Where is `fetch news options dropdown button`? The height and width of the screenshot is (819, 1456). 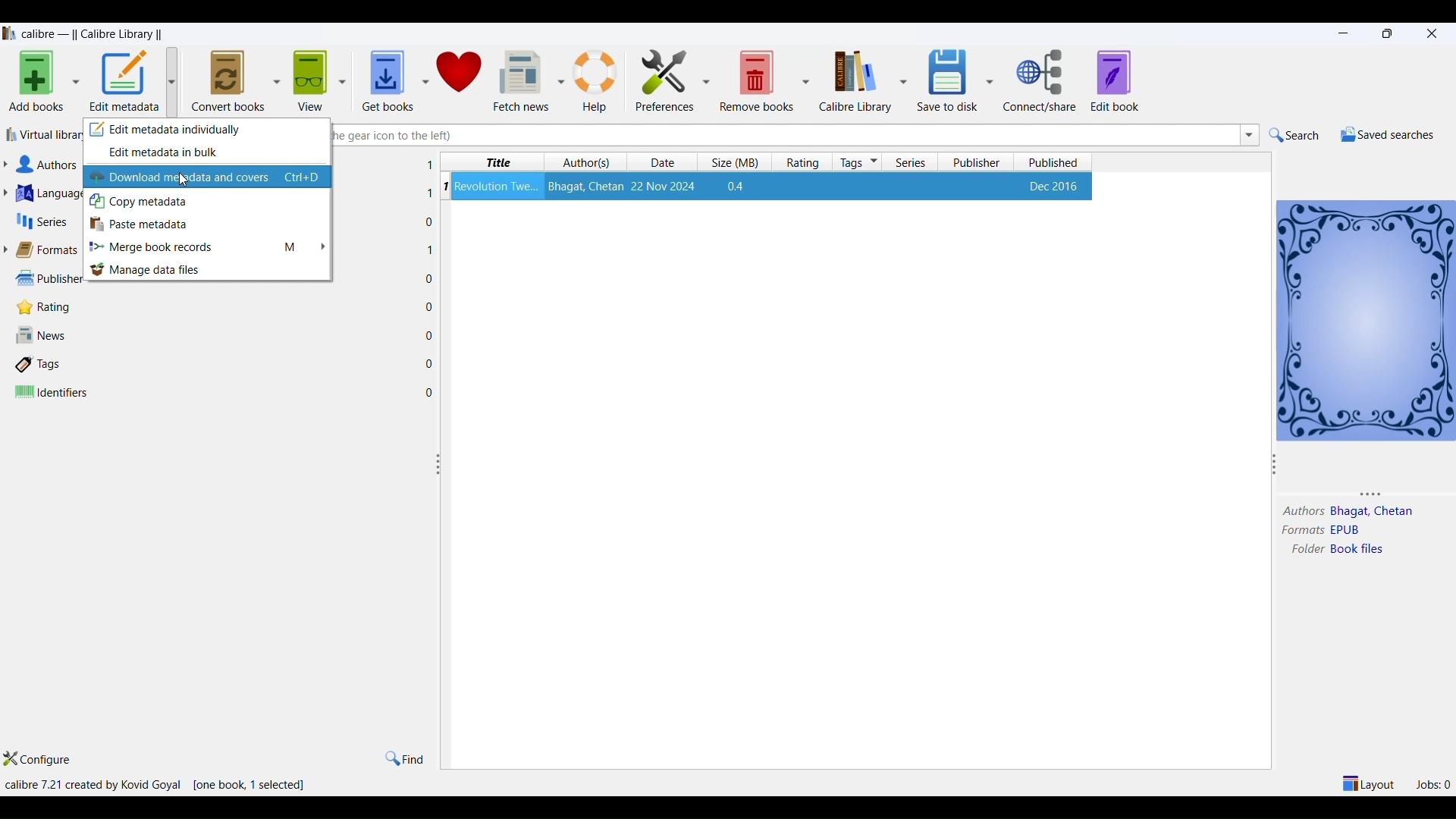 fetch news options dropdown button is located at coordinates (562, 75).